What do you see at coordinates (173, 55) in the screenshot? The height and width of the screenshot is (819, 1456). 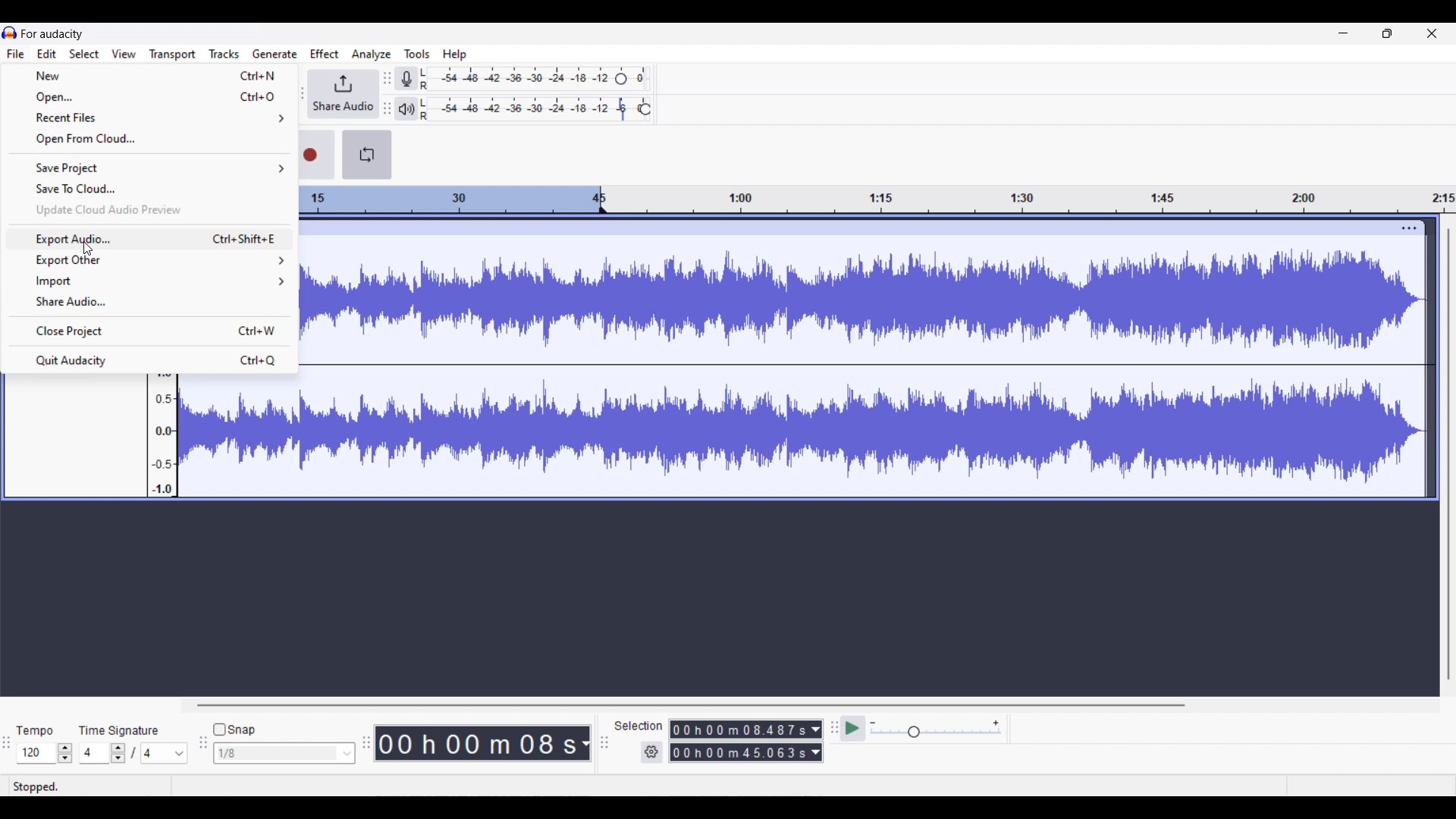 I see `Transport menu` at bounding box center [173, 55].